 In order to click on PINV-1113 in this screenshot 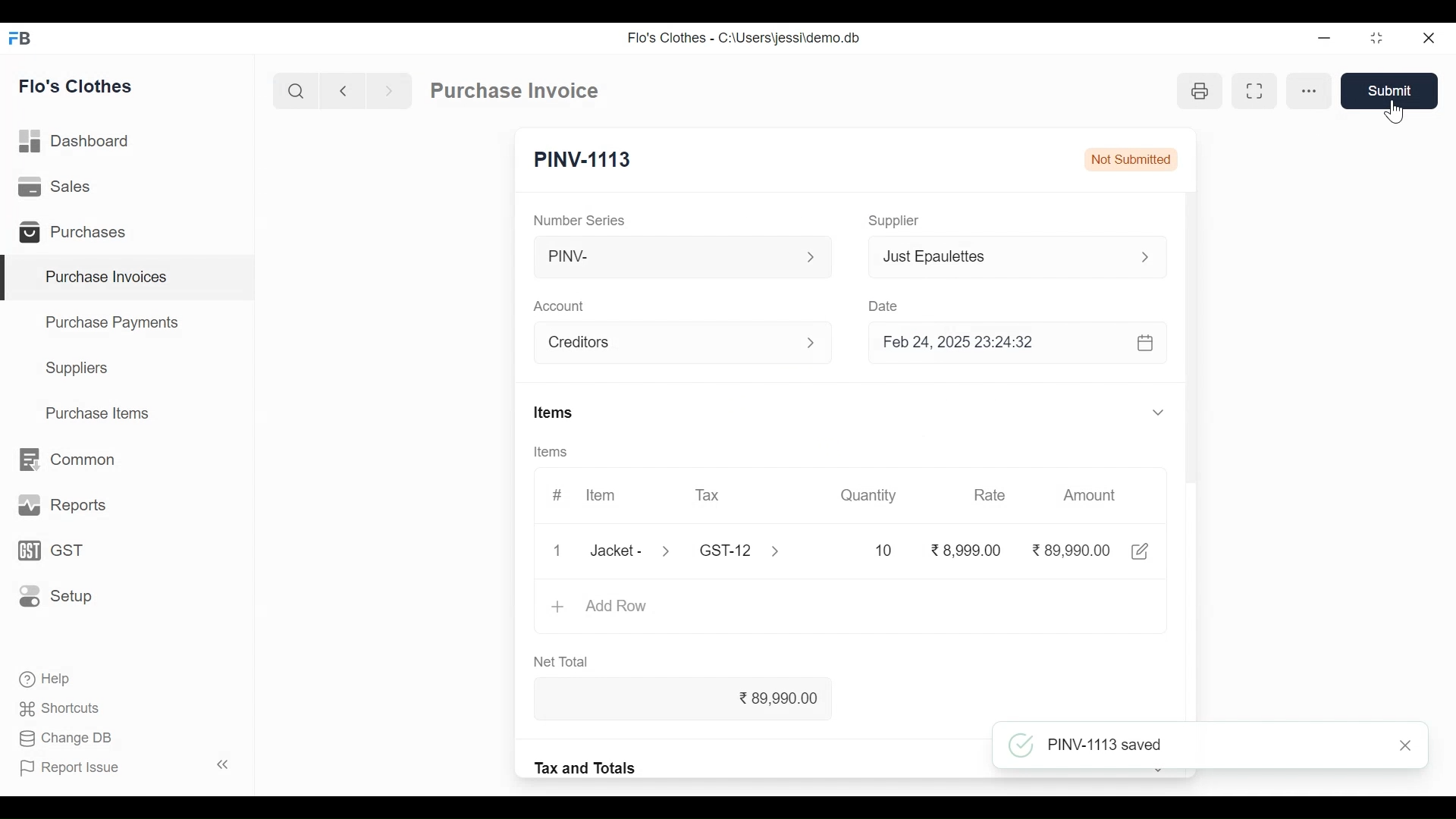, I will do `click(583, 158)`.